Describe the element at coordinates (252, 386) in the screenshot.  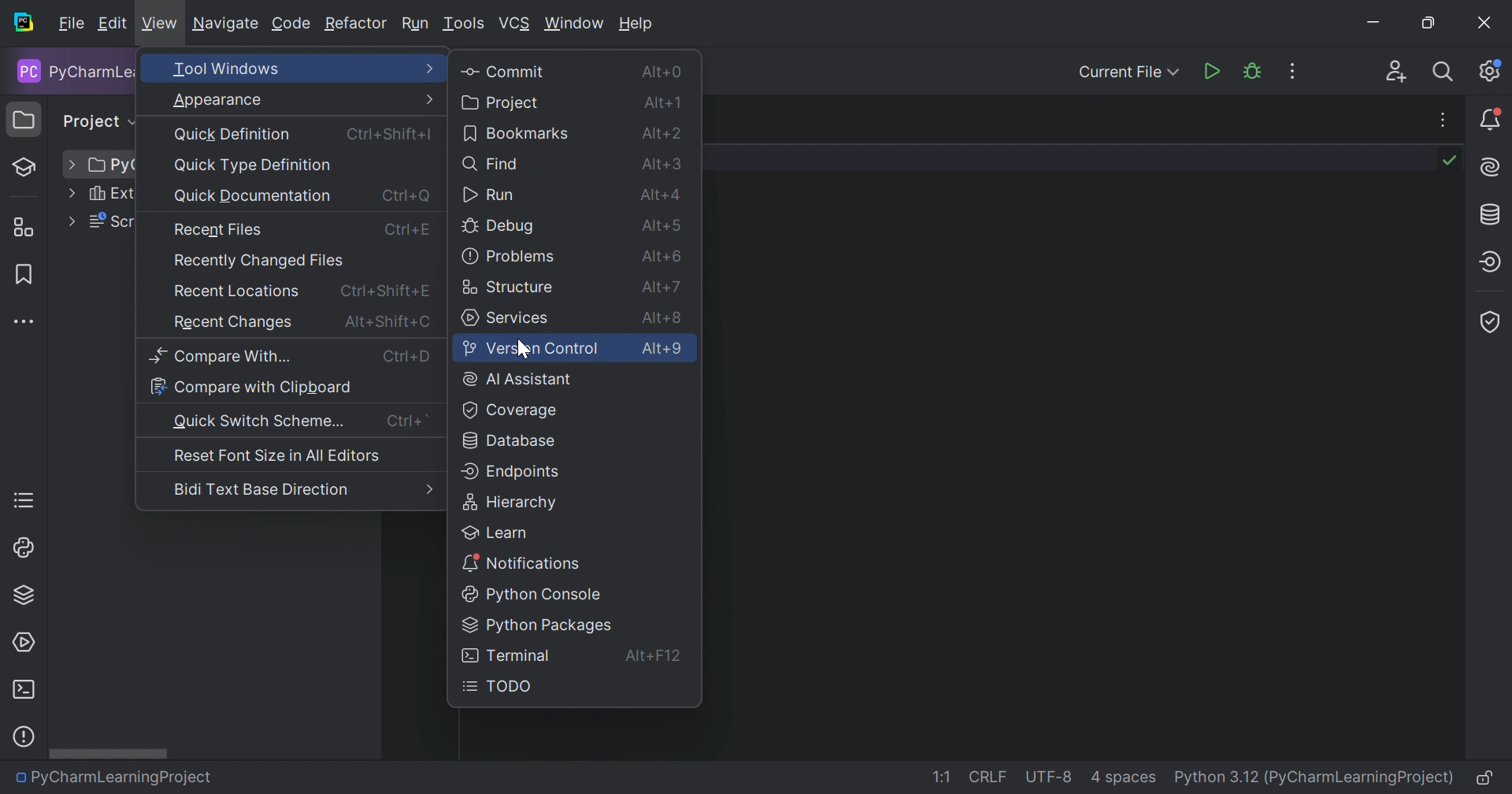
I see `Compare with Clipboard` at that location.